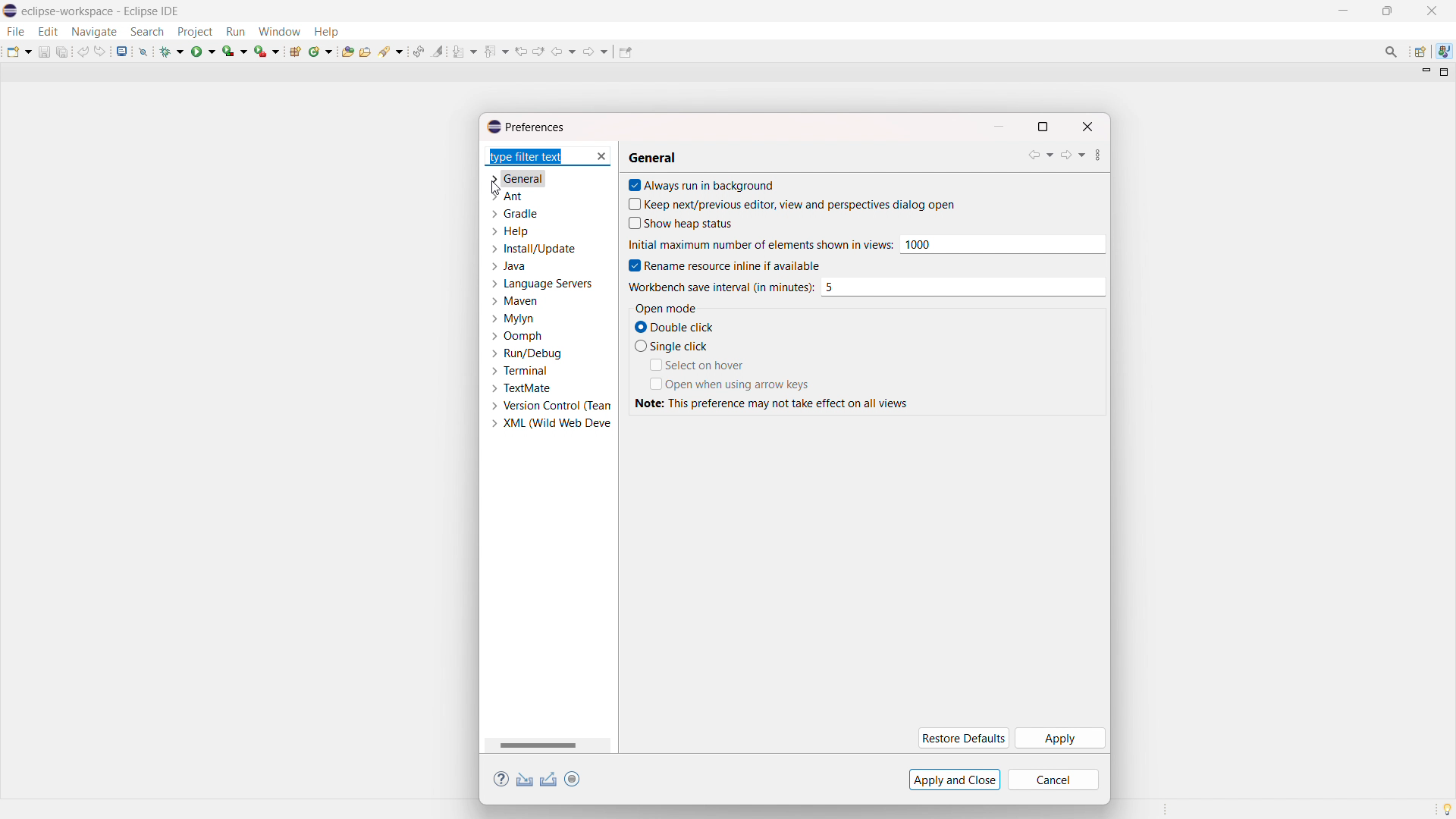  Describe the element at coordinates (1445, 52) in the screenshot. I see `java` at that location.